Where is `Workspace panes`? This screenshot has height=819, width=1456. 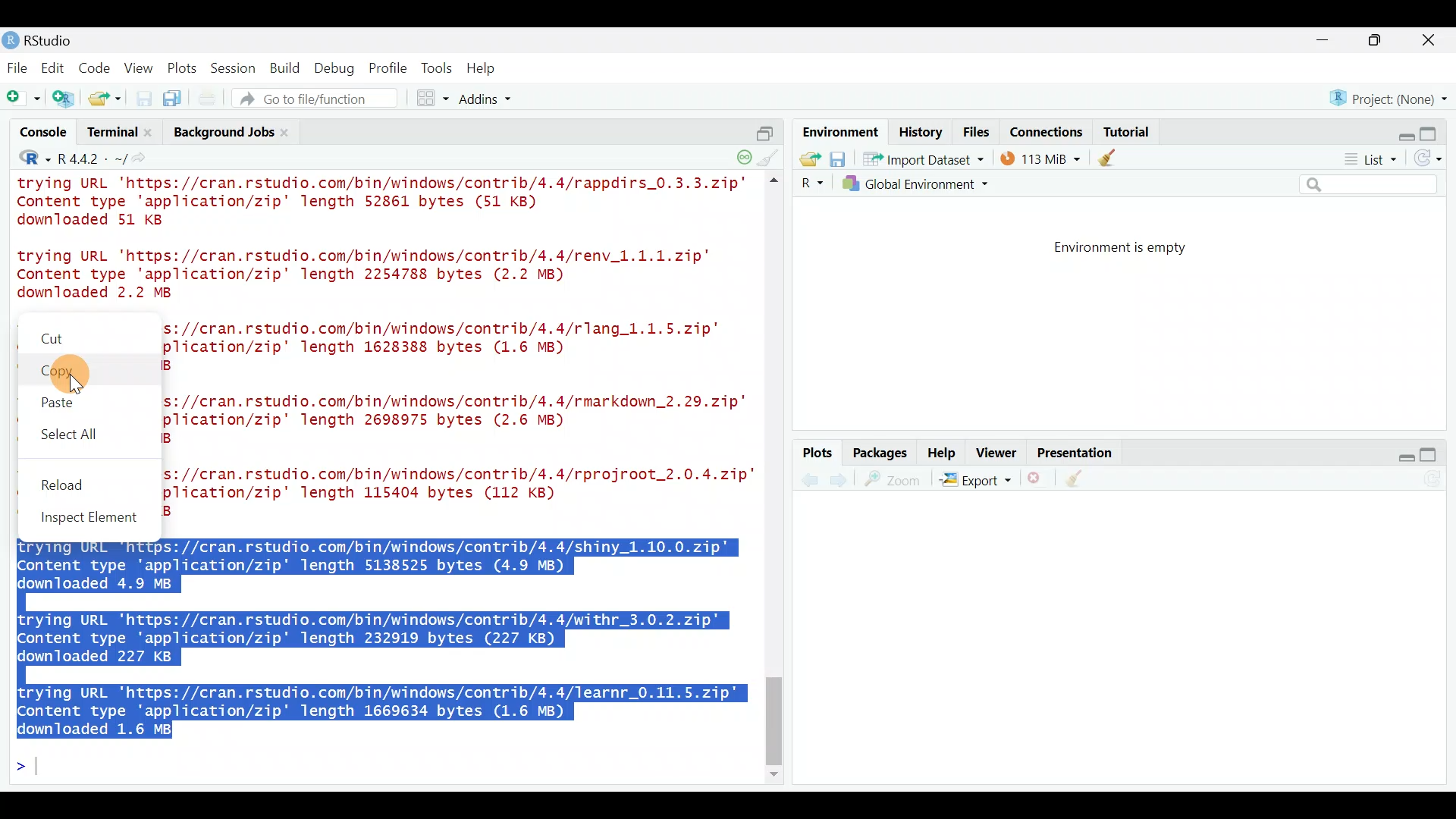
Workspace panes is located at coordinates (434, 99).